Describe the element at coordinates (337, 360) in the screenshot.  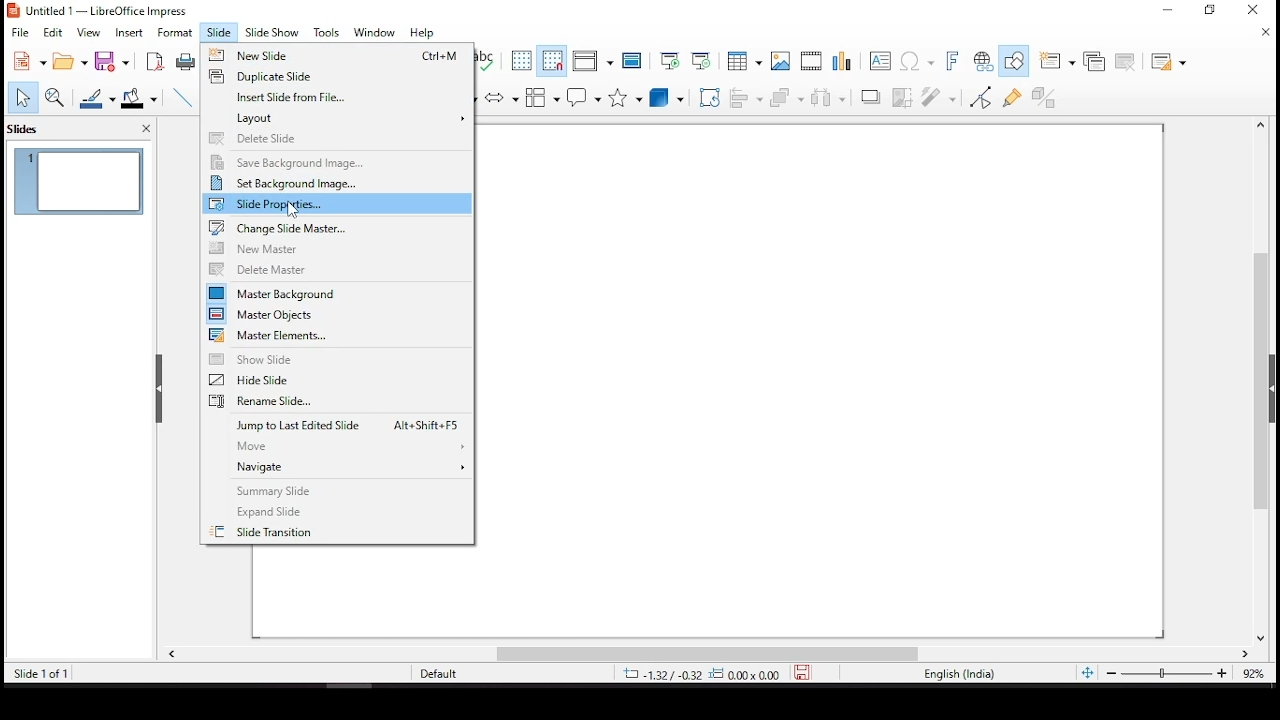
I see `show slide` at that location.